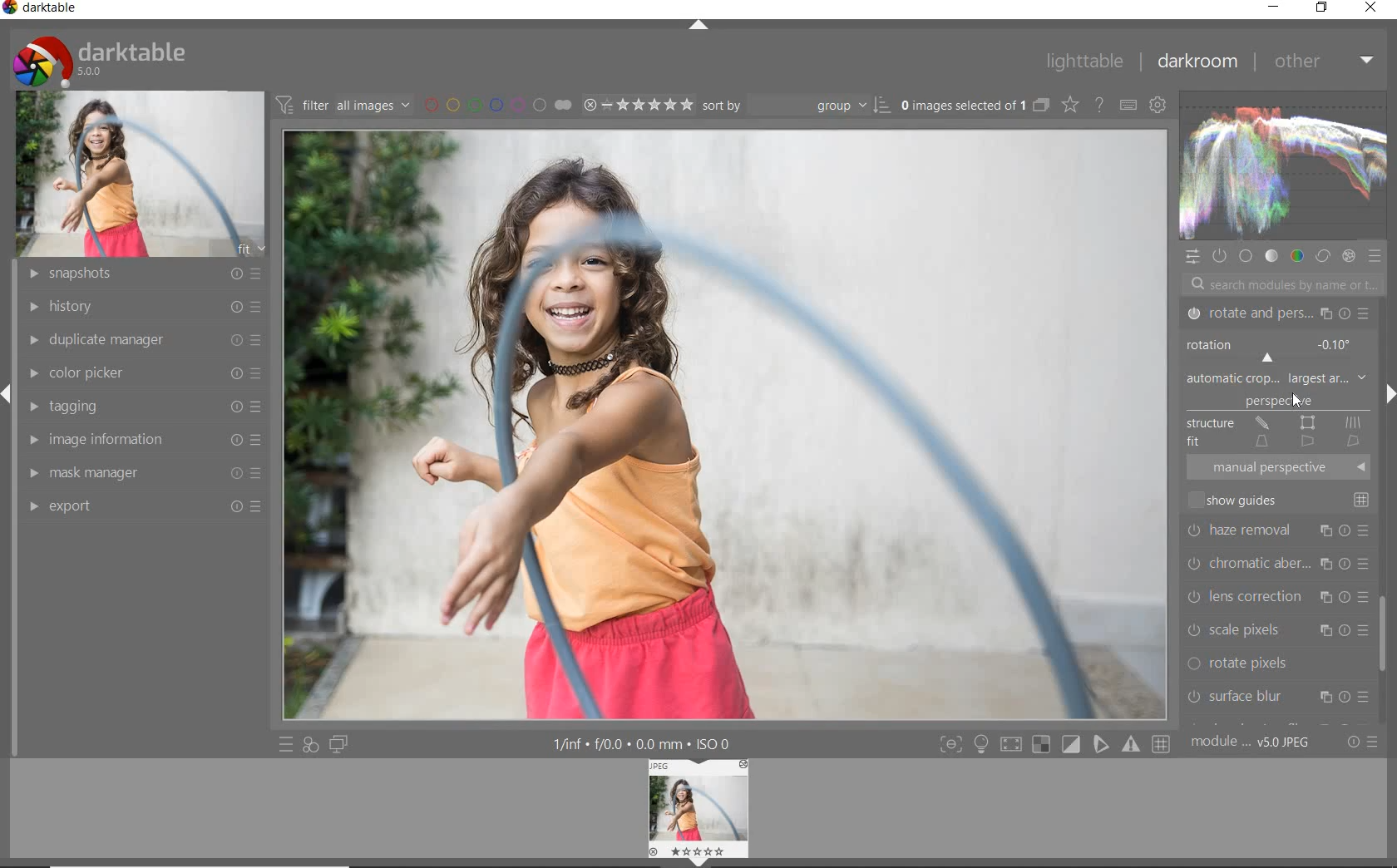 The image size is (1397, 868). What do you see at coordinates (1323, 258) in the screenshot?
I see `correct` at bounding box center [1323, 258].